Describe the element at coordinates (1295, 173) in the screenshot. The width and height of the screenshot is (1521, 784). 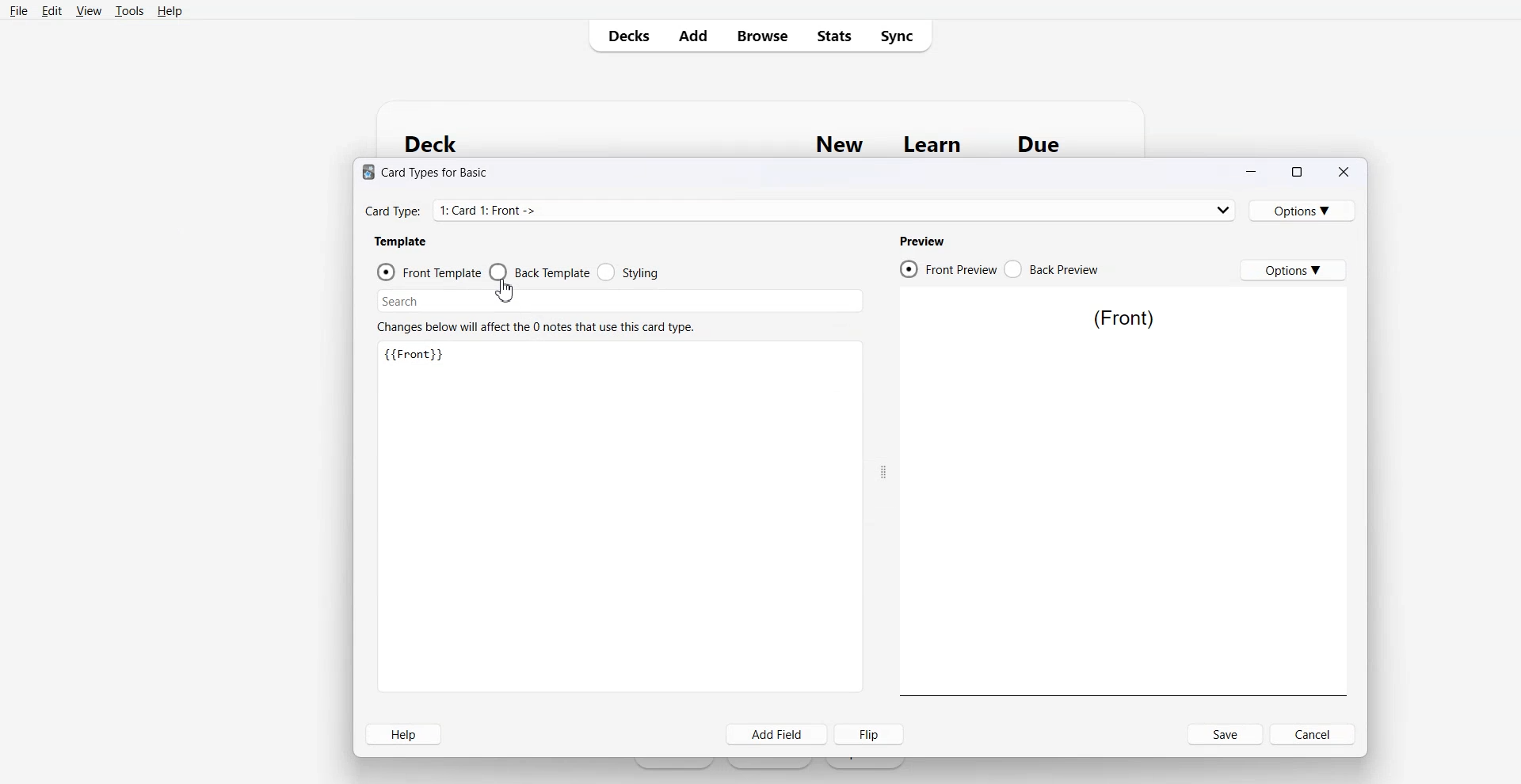
I see `Maximize` at that location.